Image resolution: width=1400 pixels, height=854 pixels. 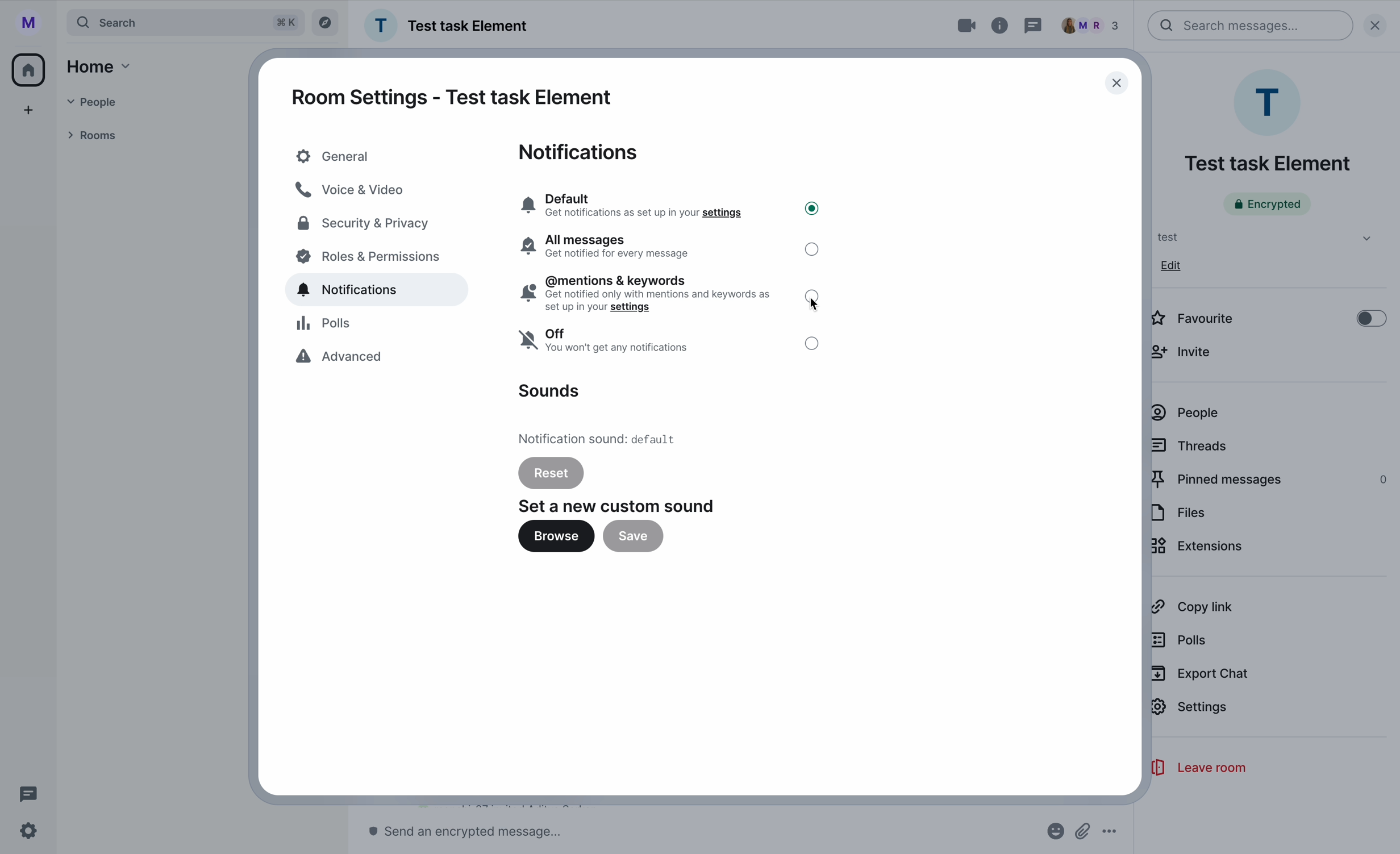 I want to click on video call, so click(x=956, y=26).